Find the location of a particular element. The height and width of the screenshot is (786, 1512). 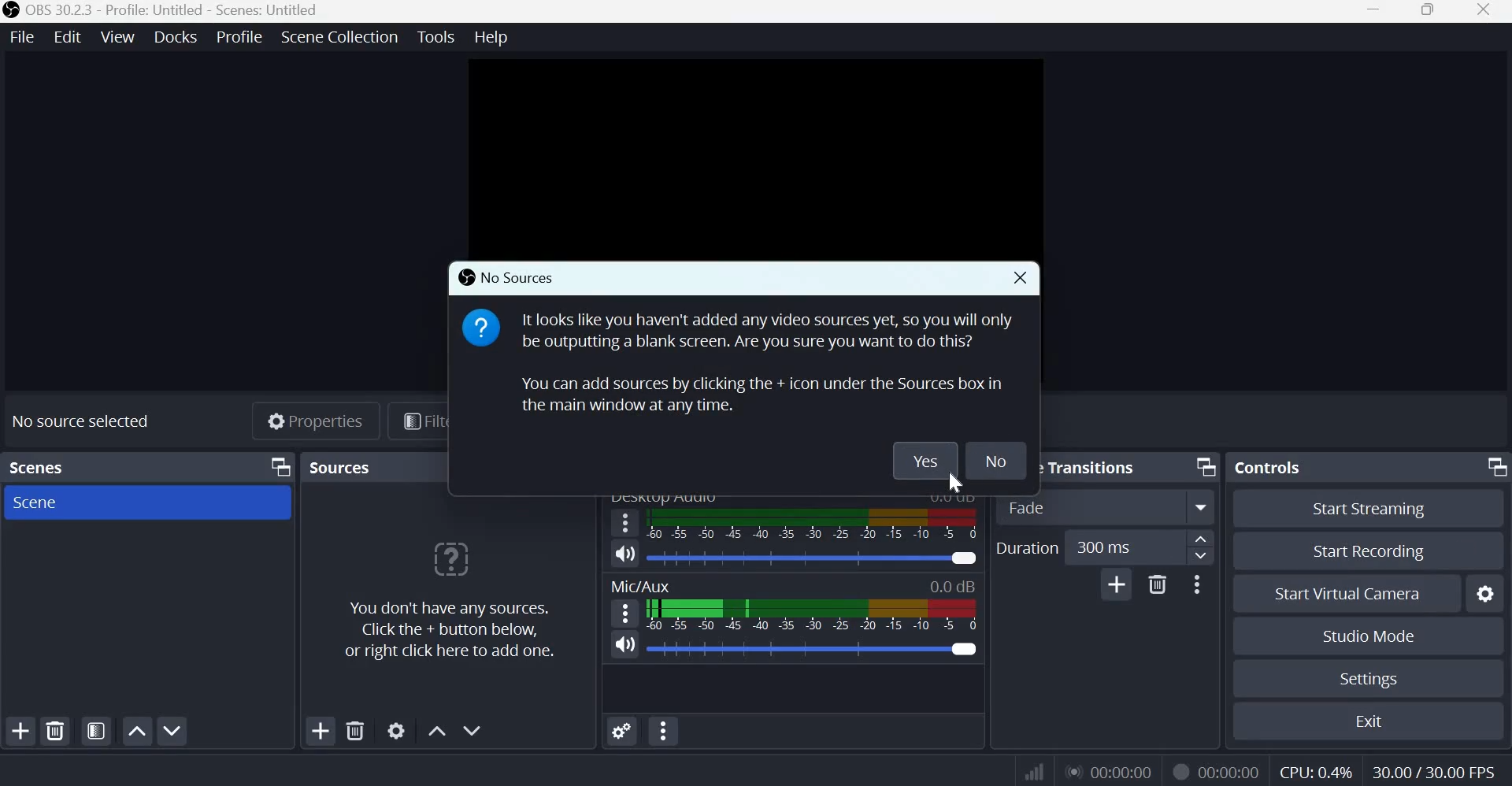

Audio mixer menu is located at coordinates (665, 731).